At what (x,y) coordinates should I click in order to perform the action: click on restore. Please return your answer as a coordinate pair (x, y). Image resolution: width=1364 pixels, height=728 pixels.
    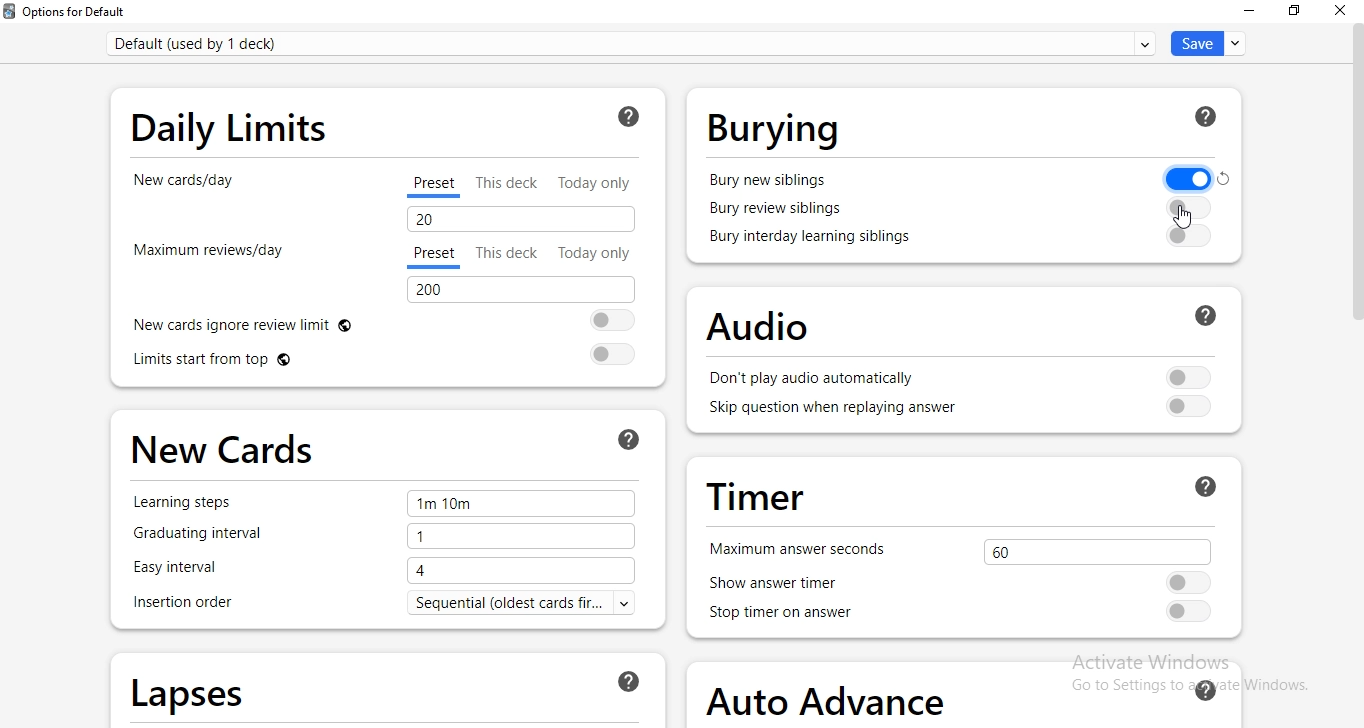
    Looking at the image, I should click on (1297, 12).